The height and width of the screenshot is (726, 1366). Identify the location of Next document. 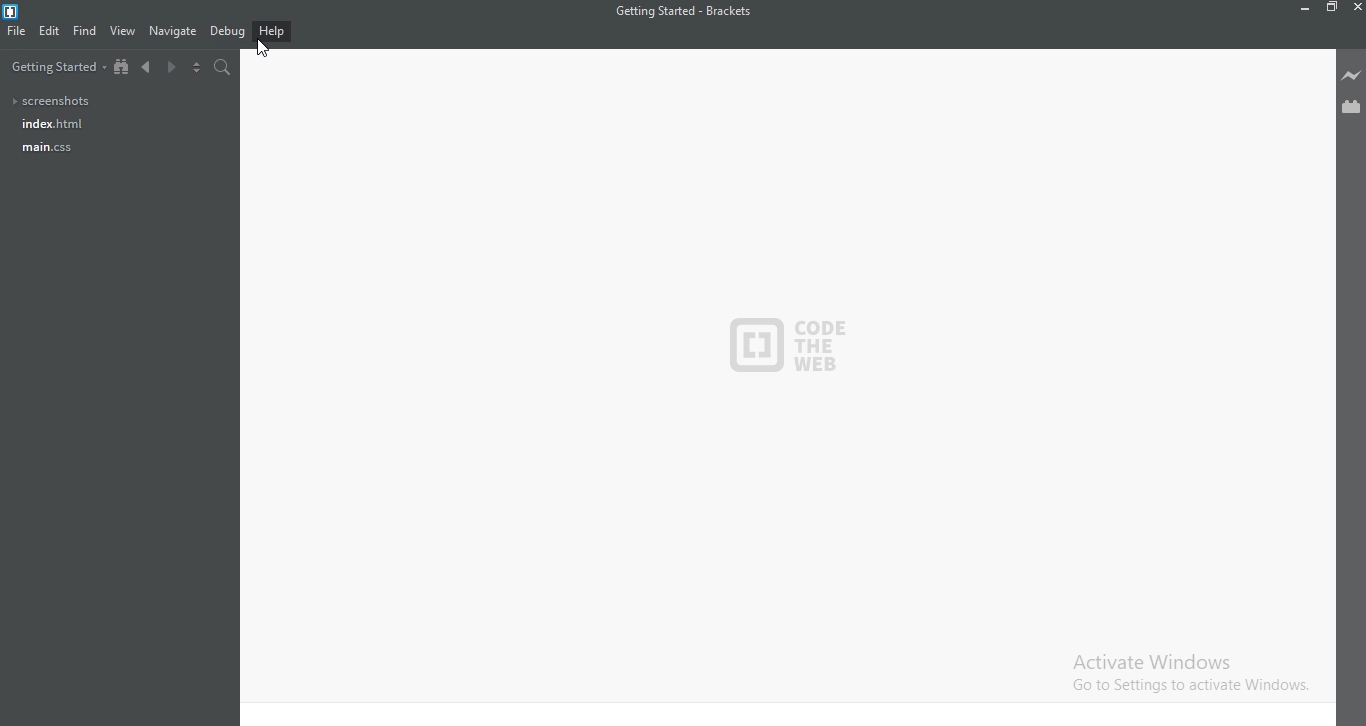
(173, 68).